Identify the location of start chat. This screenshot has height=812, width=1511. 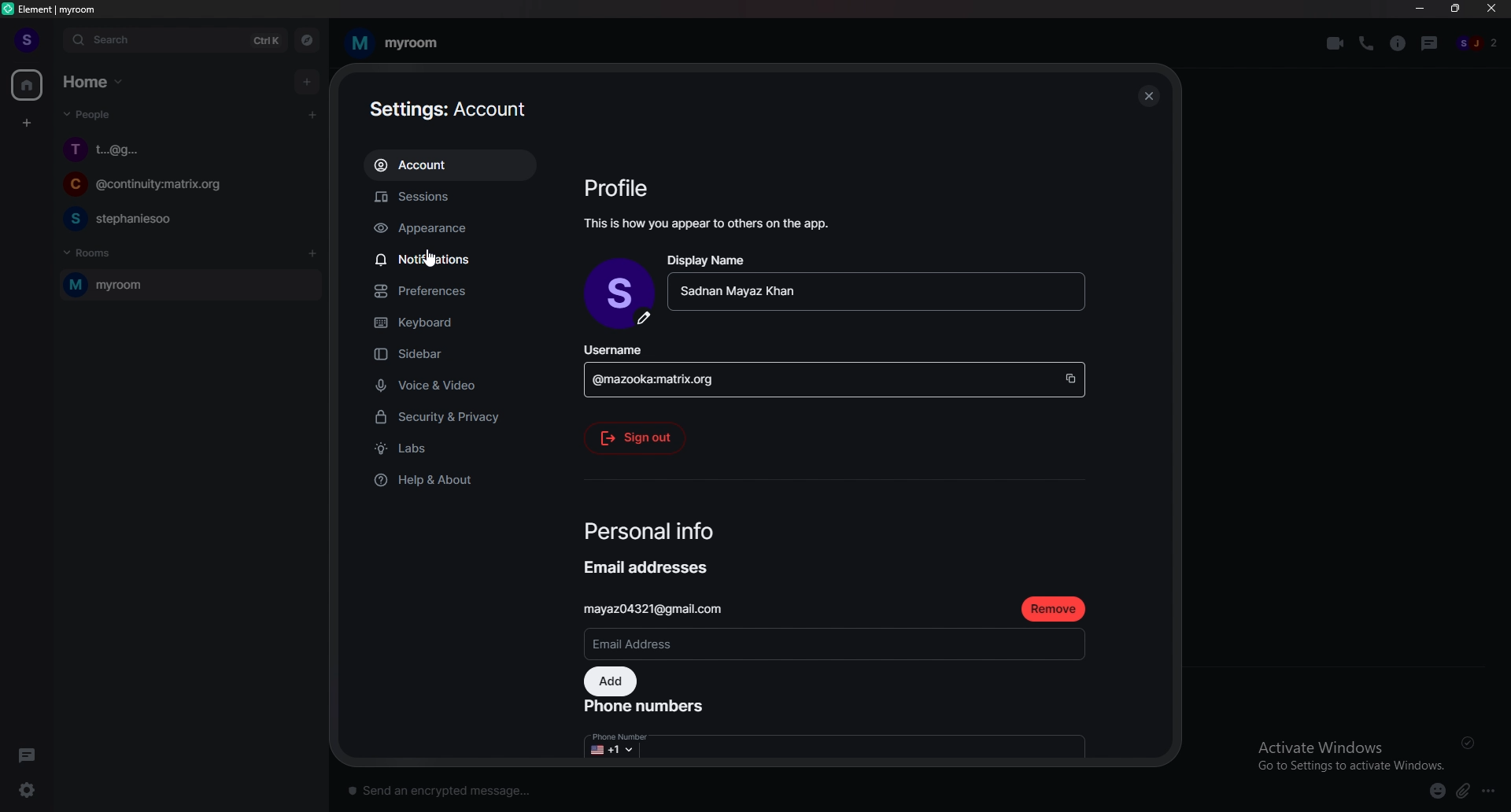
(312, 116).